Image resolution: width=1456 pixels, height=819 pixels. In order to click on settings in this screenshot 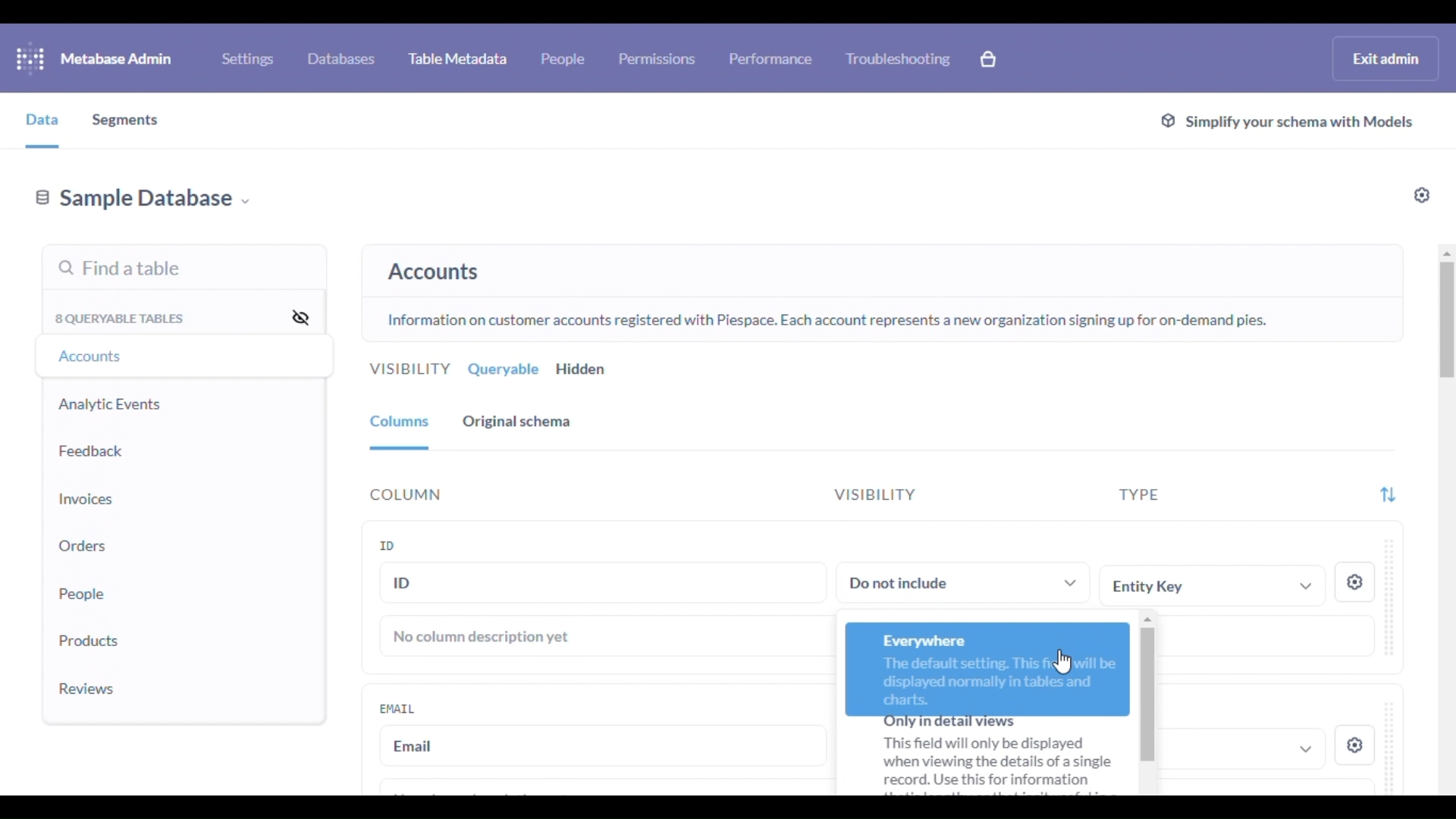, I will do `click(1354, 746)`.